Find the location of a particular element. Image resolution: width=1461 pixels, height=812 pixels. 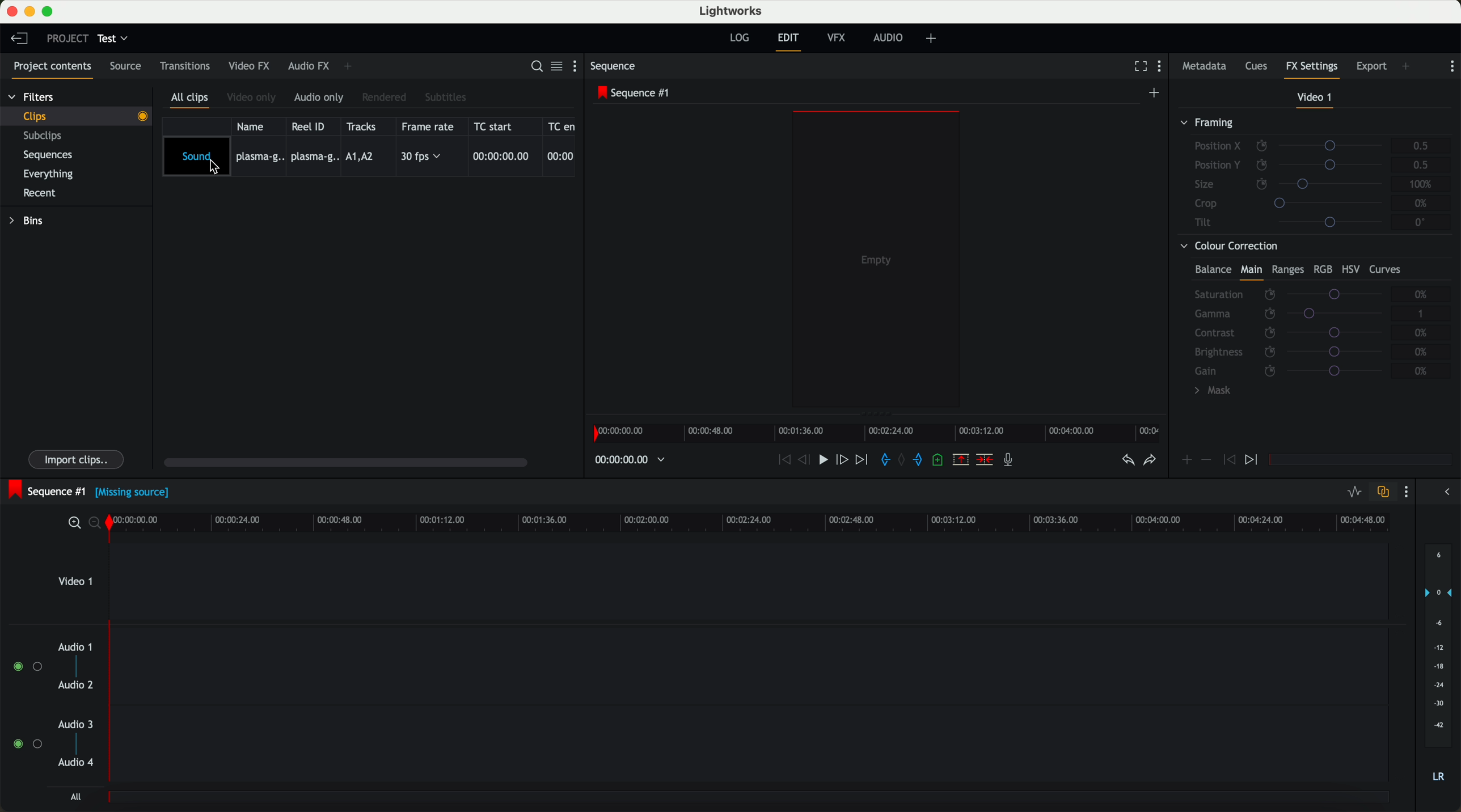

reel ID is located at coordinates (311, 126).